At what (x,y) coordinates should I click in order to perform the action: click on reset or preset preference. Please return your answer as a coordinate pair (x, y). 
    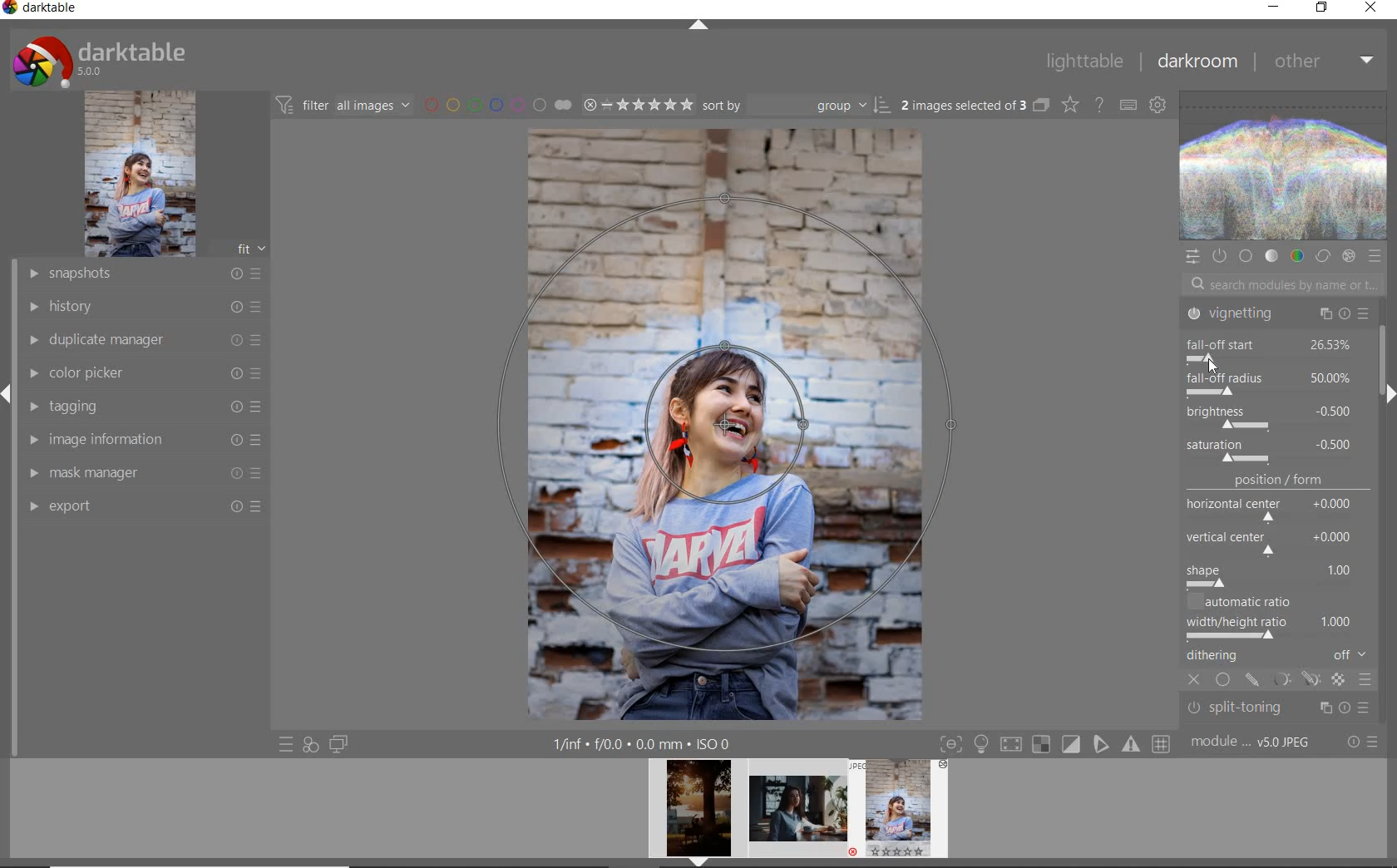
    Looking at the image, I should click on (1361, 743).